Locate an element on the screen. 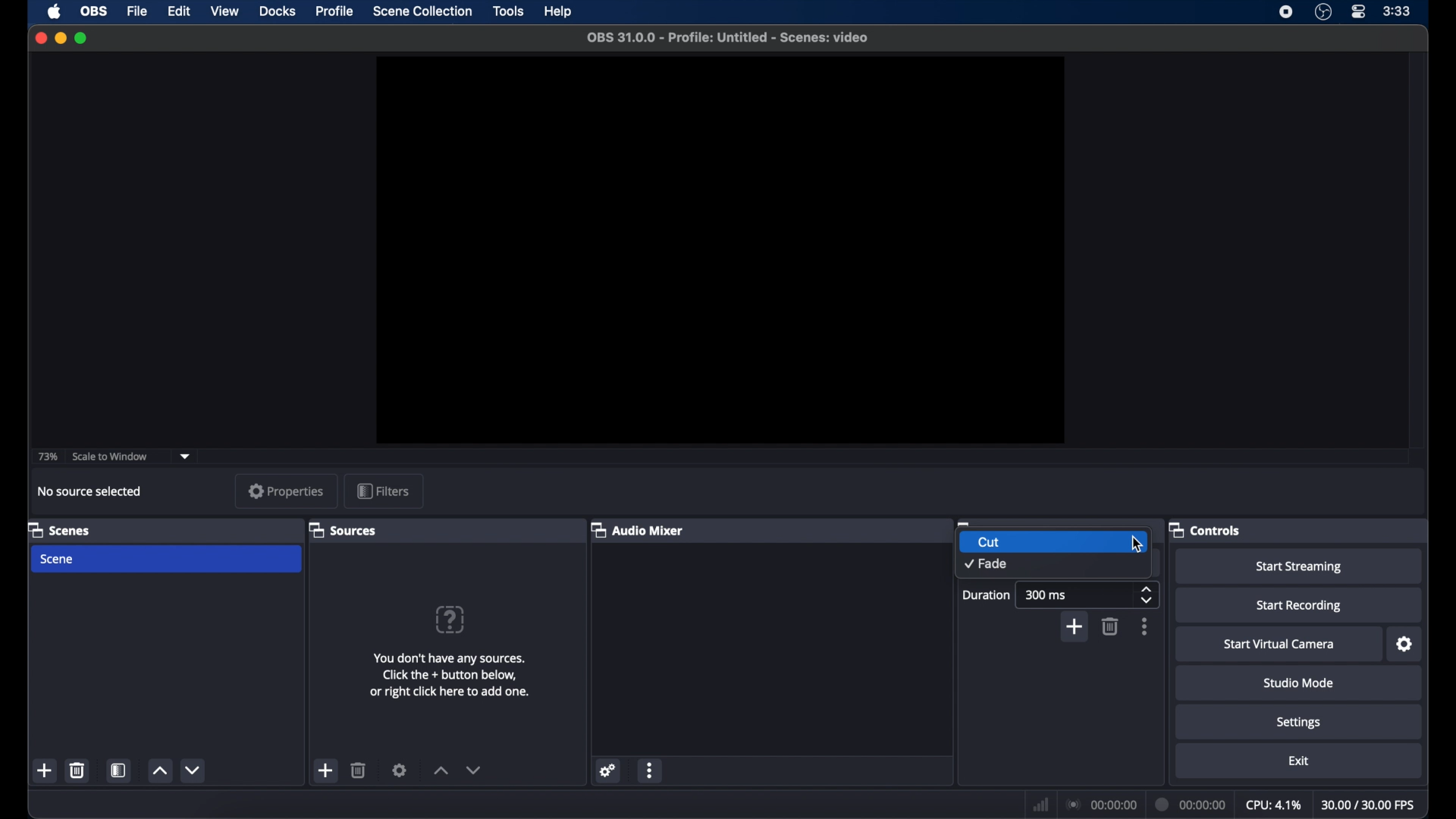 The width and height of the screenshot is (1456, 819). more options is located at coordinates (650, 770).